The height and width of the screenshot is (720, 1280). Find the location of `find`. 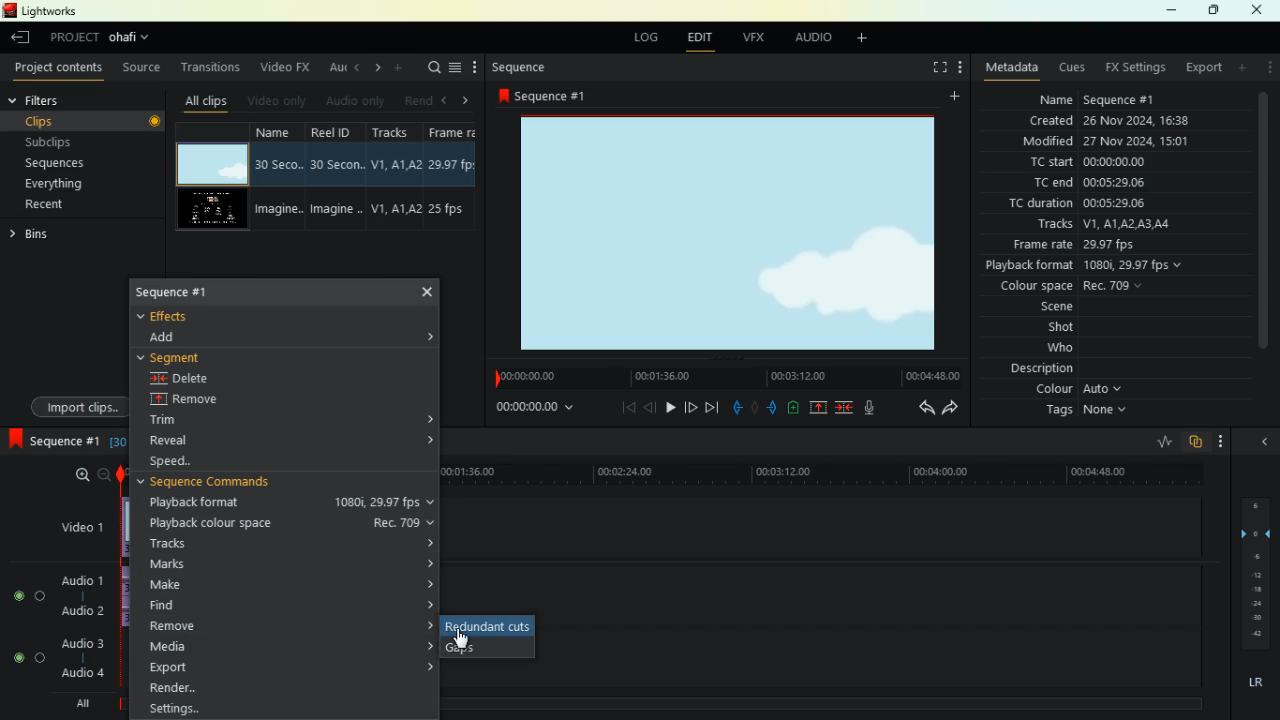

find is located at coordinates (288, 604).